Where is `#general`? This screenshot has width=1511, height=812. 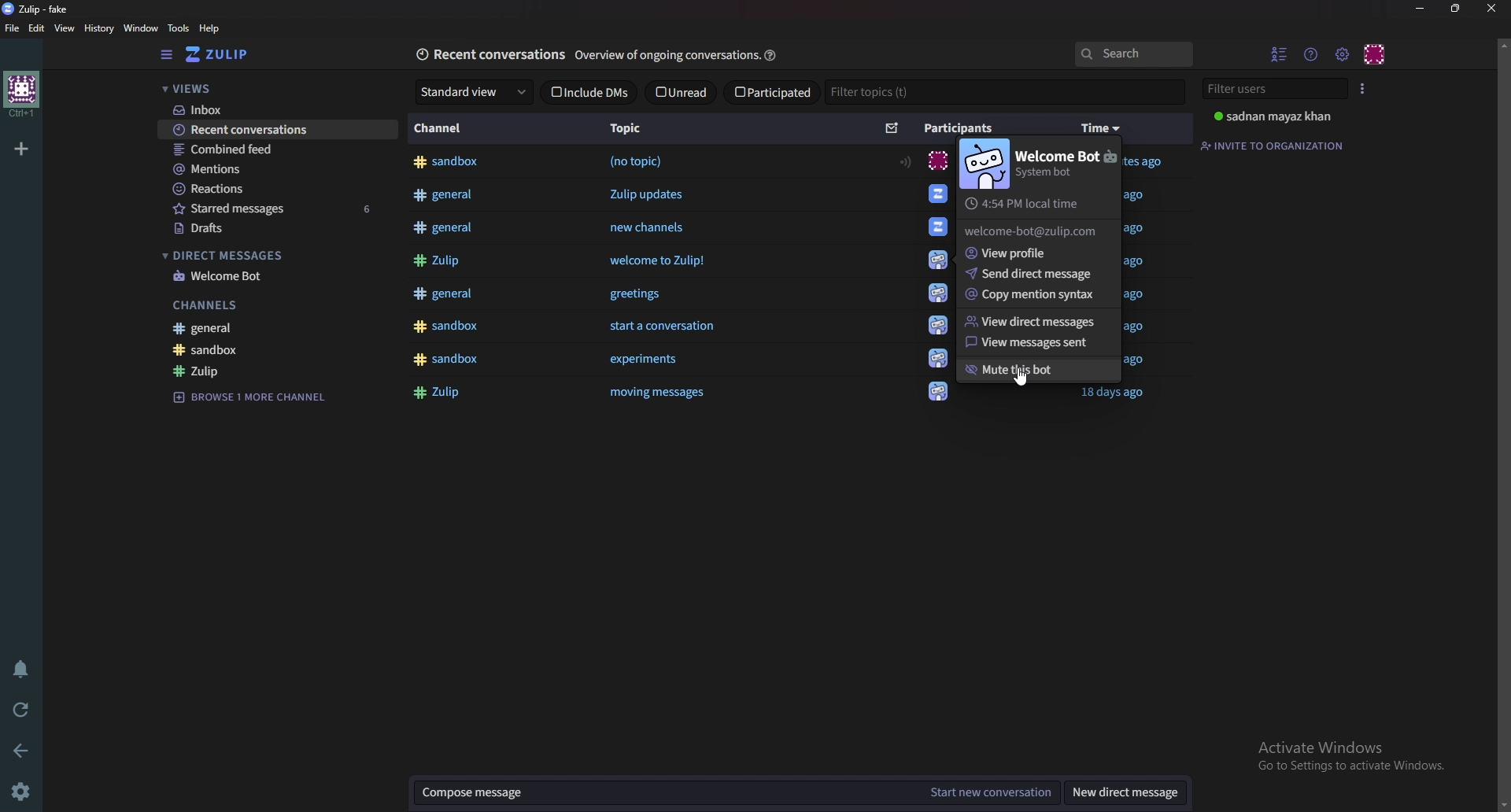
#general is located at coordinates (443, 193).